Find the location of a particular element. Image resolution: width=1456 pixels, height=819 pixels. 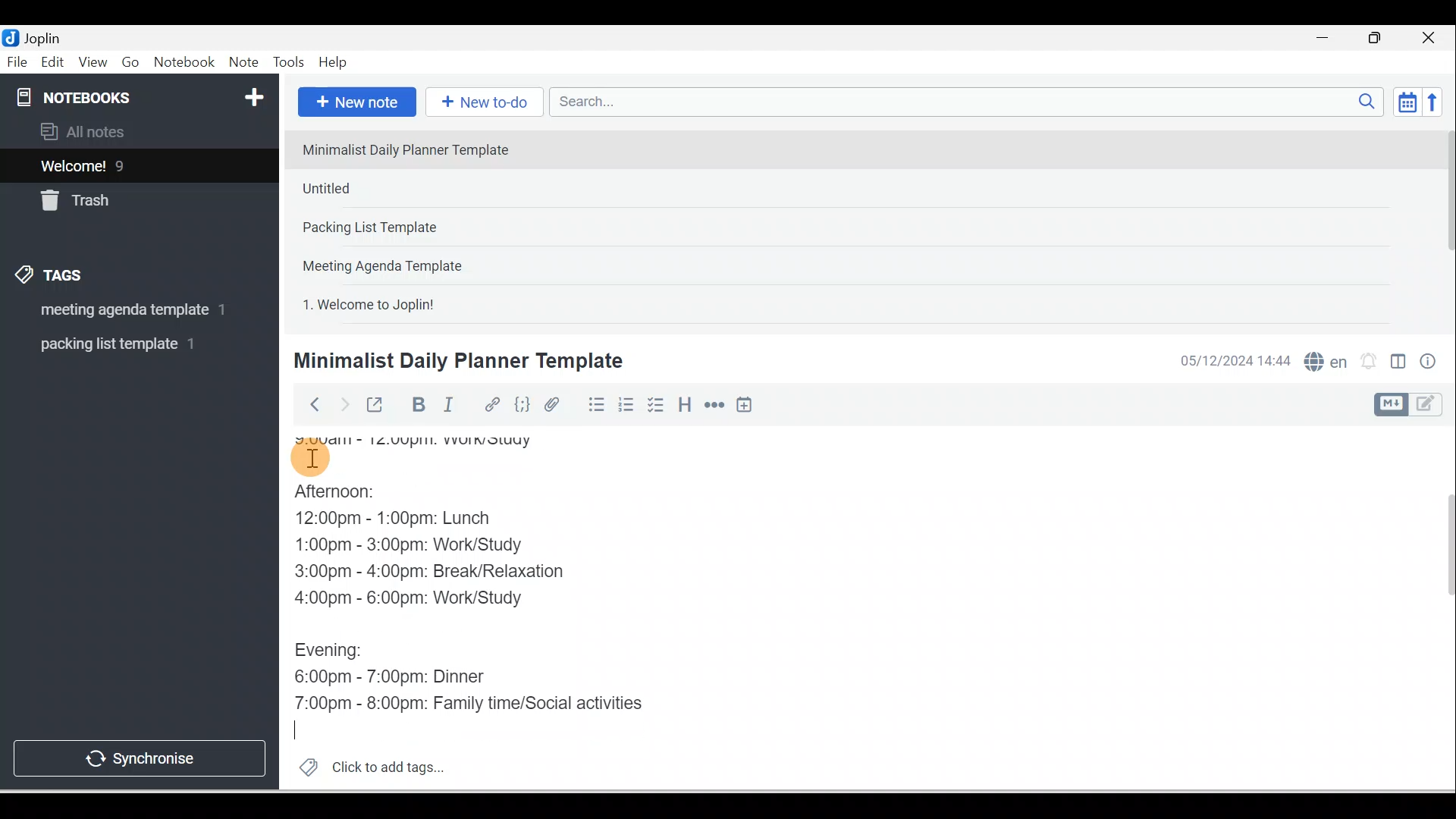

Afternoon: is located at coordinates (351, 495).